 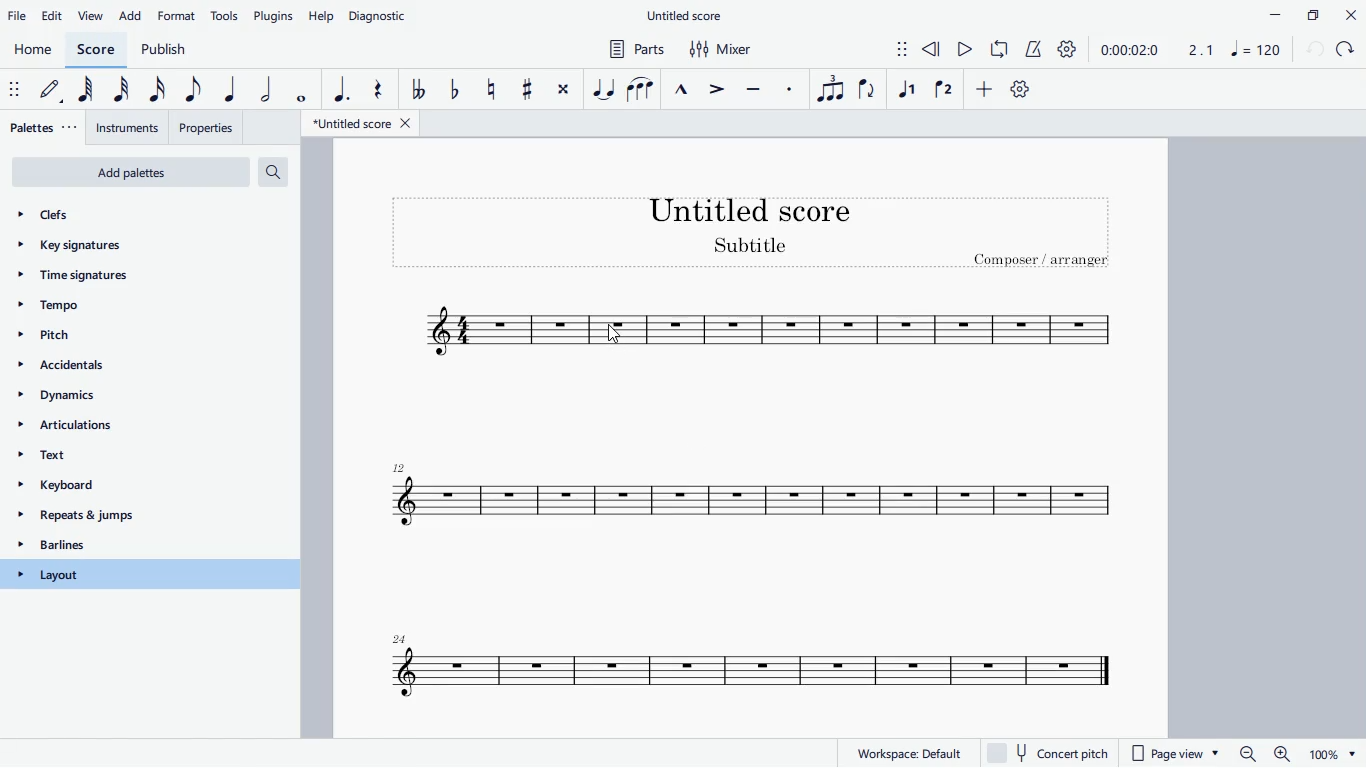 What do you see at coordinates (966, 51) in the screenshot?
I see `play` at bounding box center [966, 51].